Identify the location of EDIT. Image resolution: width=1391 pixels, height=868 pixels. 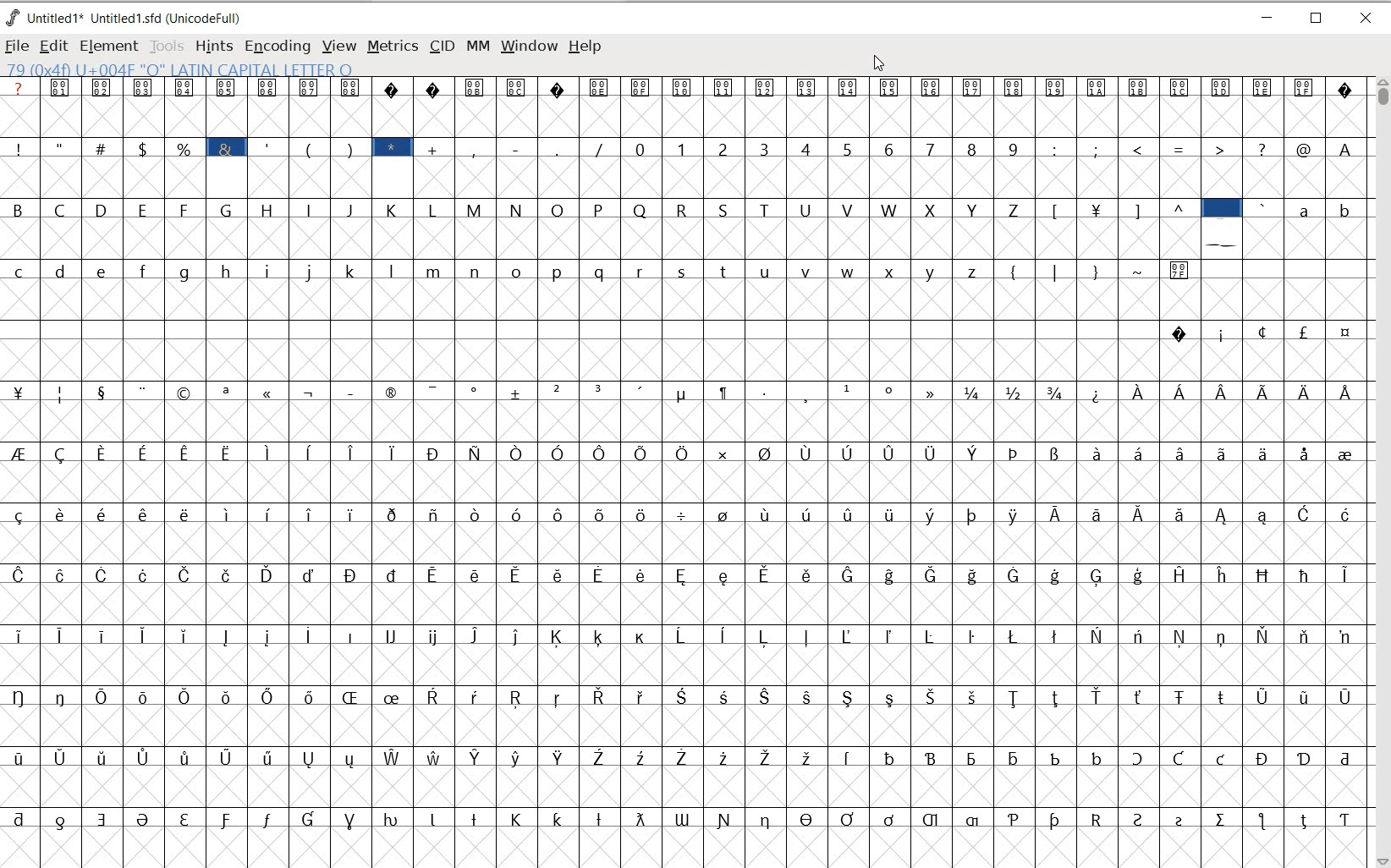
(52, 47).